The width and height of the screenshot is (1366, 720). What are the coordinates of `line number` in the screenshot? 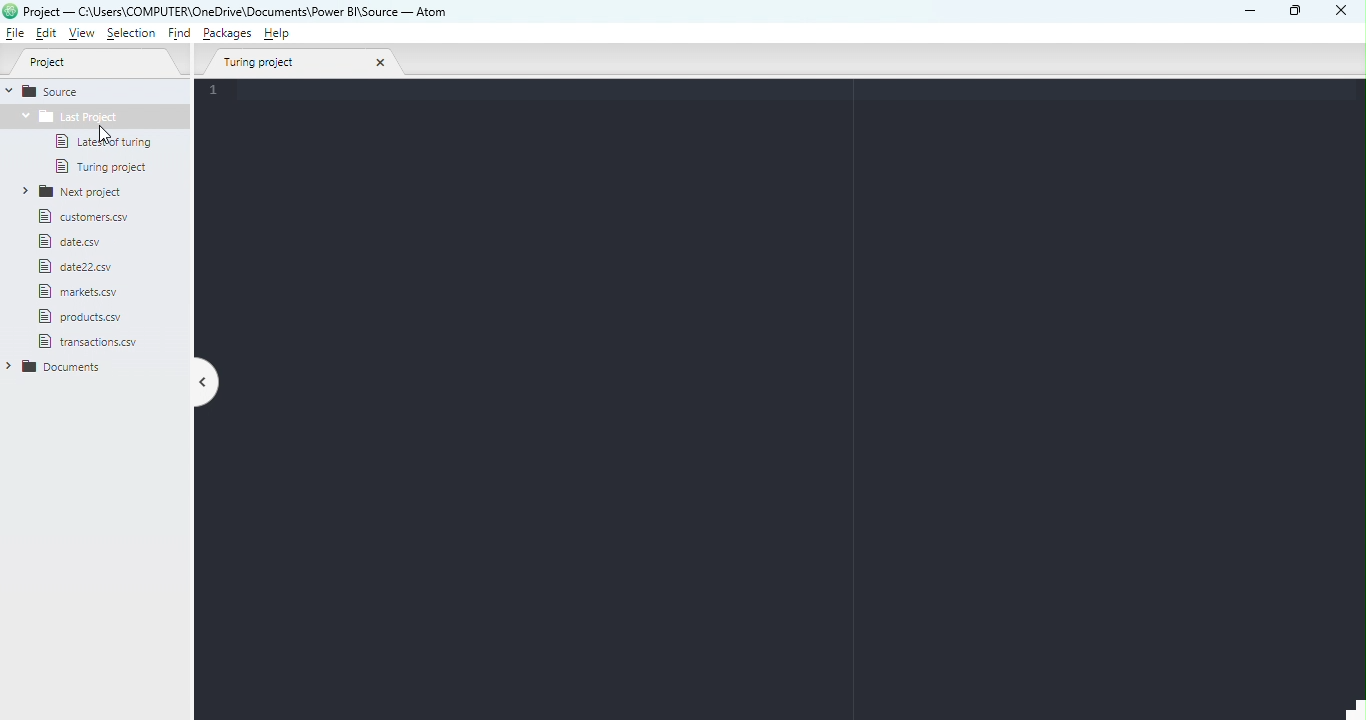 It's located at (218, 92).